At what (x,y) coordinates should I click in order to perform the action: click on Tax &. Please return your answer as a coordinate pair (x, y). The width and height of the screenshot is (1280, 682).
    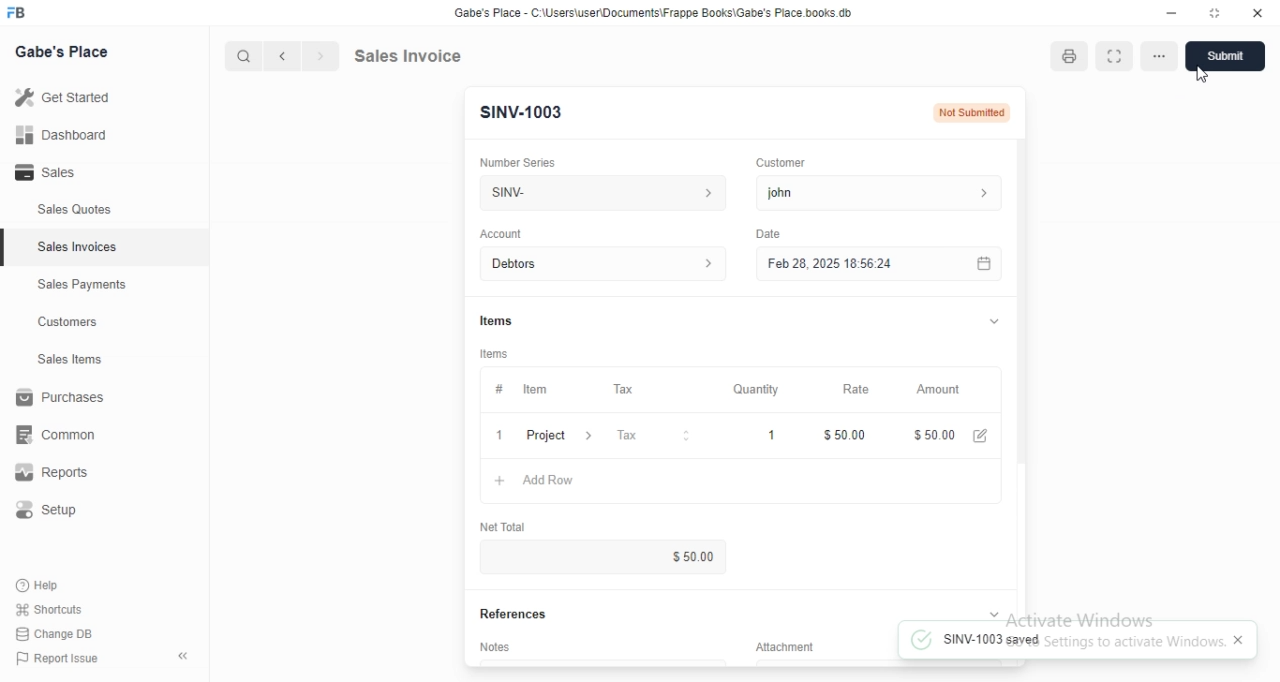
    Looking at the image, I should click on (652, 436).